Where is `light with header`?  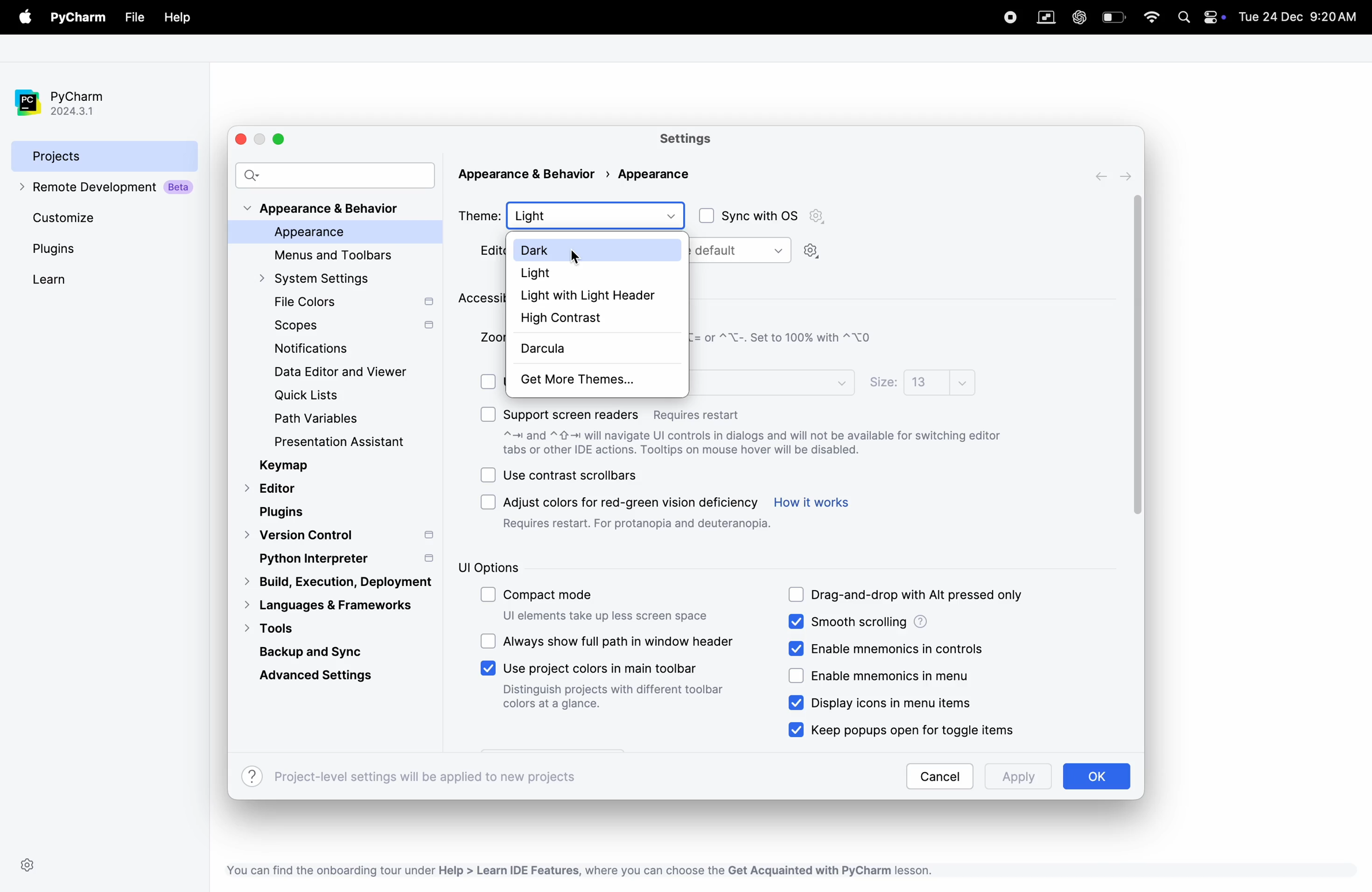
light with header is located at coordinates (596, 294).